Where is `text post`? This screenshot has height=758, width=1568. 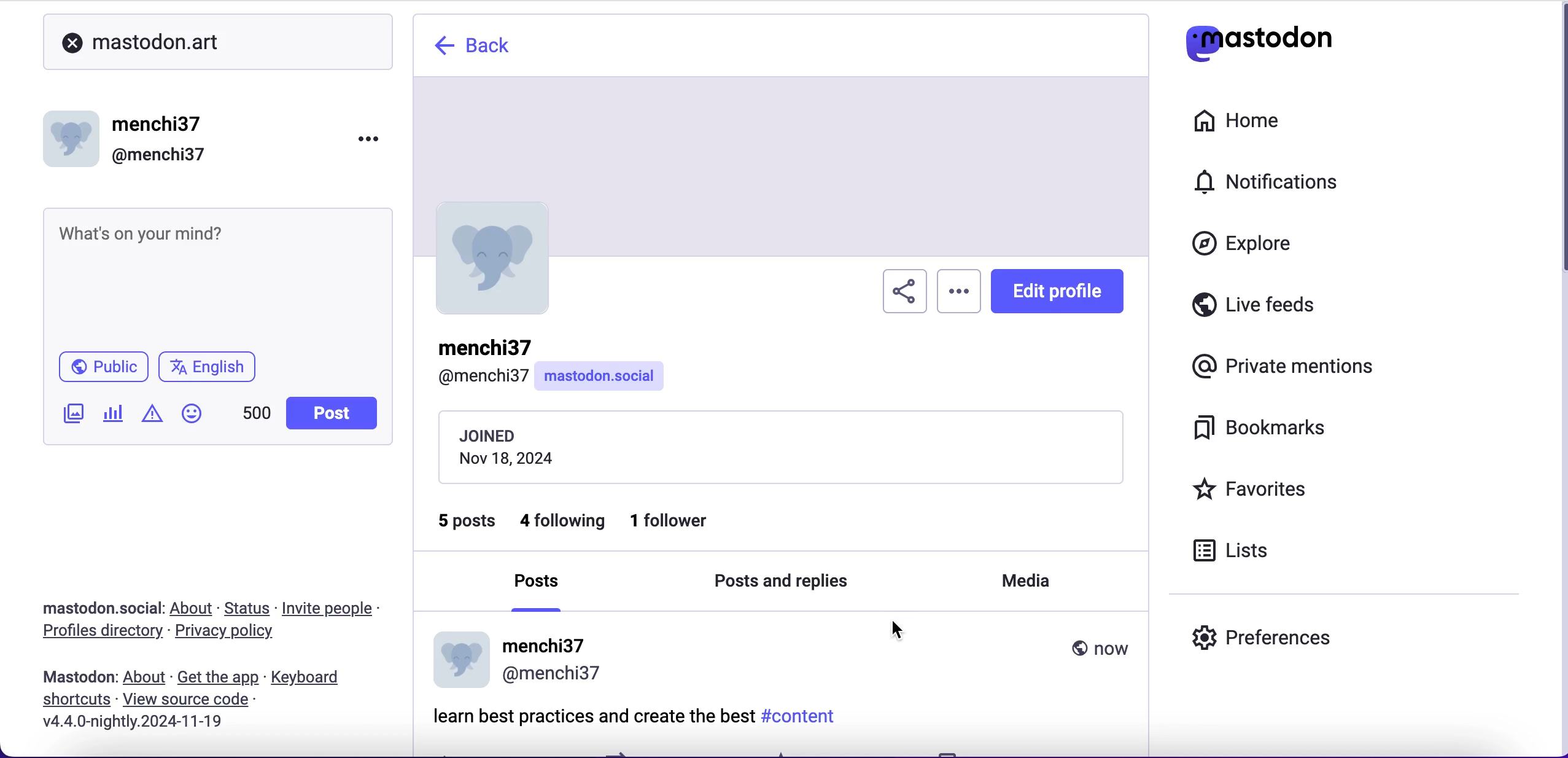
text post is located at coordinates (143, 233).